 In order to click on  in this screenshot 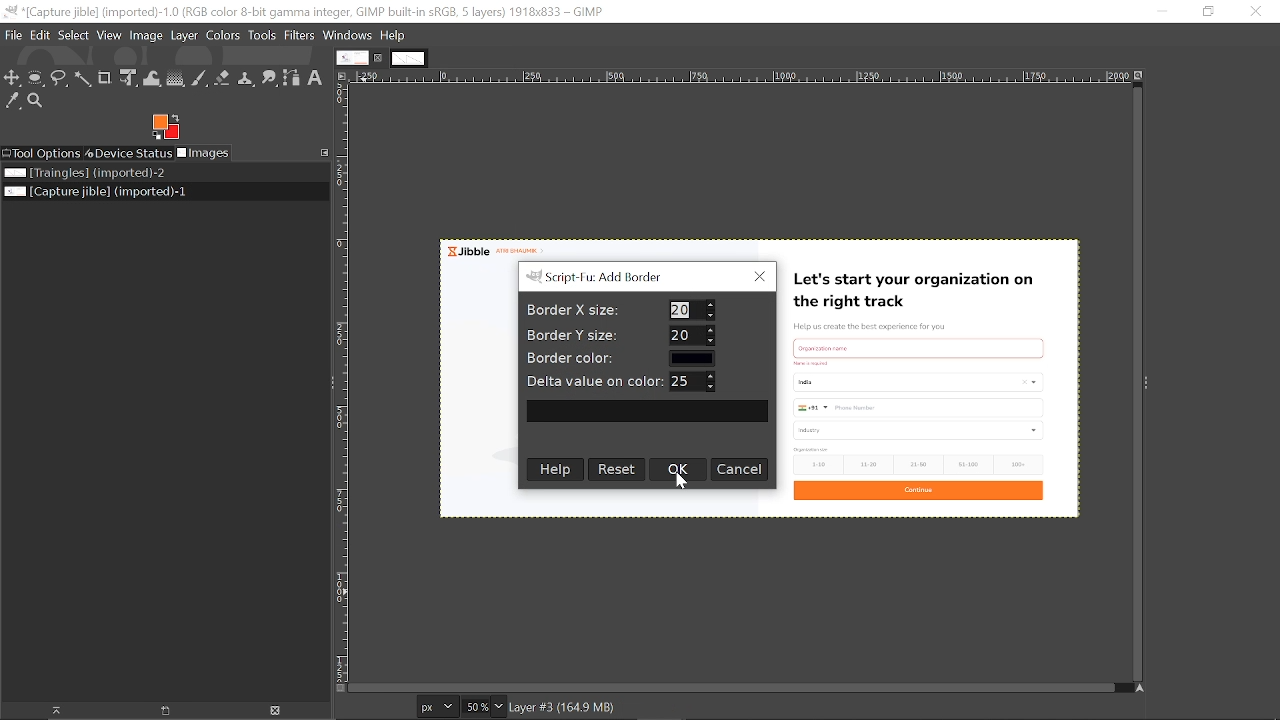, I will do `click(917, 345)`.